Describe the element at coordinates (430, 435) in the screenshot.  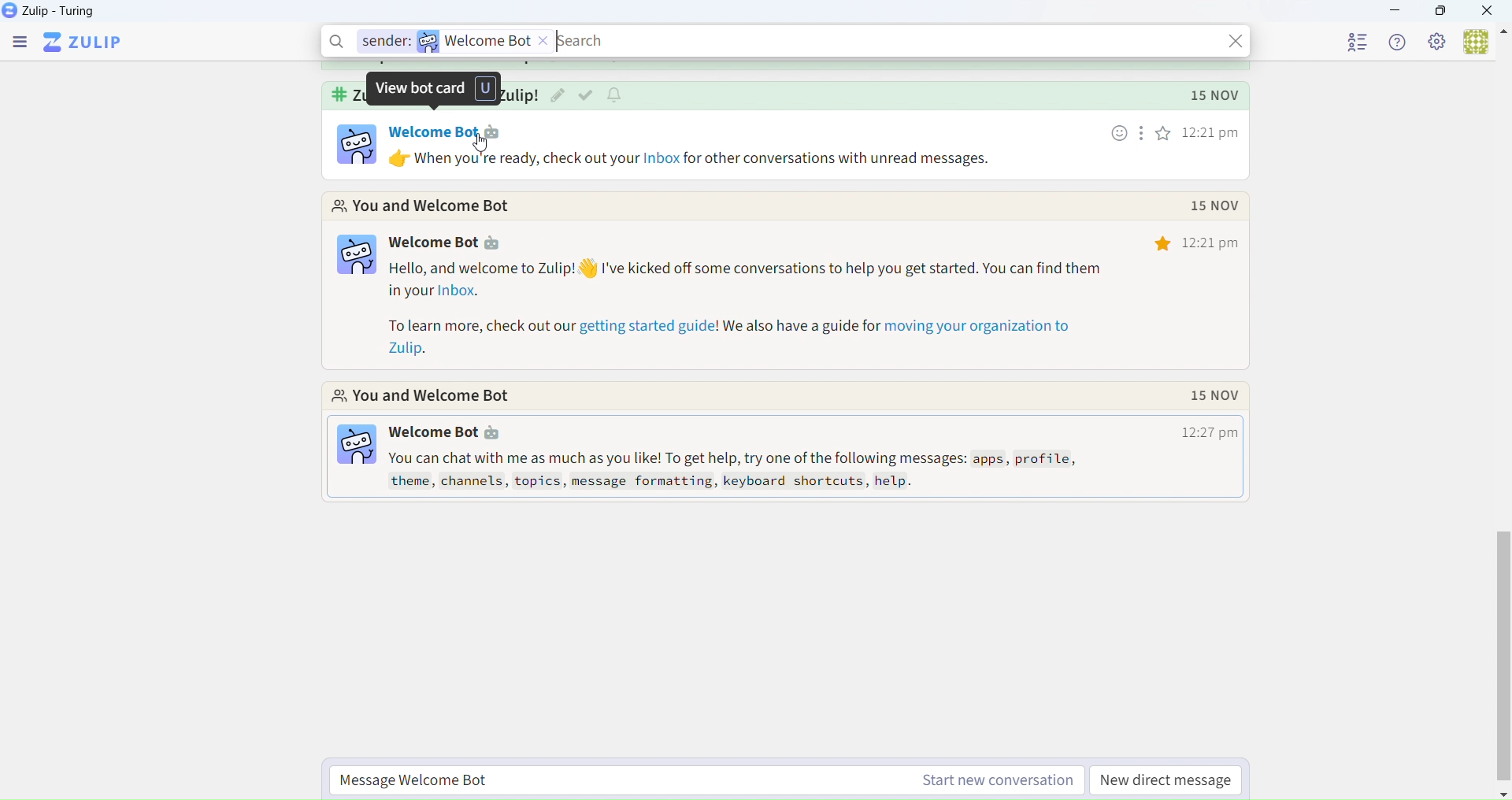
I see ` Welcome Bot` at that location.